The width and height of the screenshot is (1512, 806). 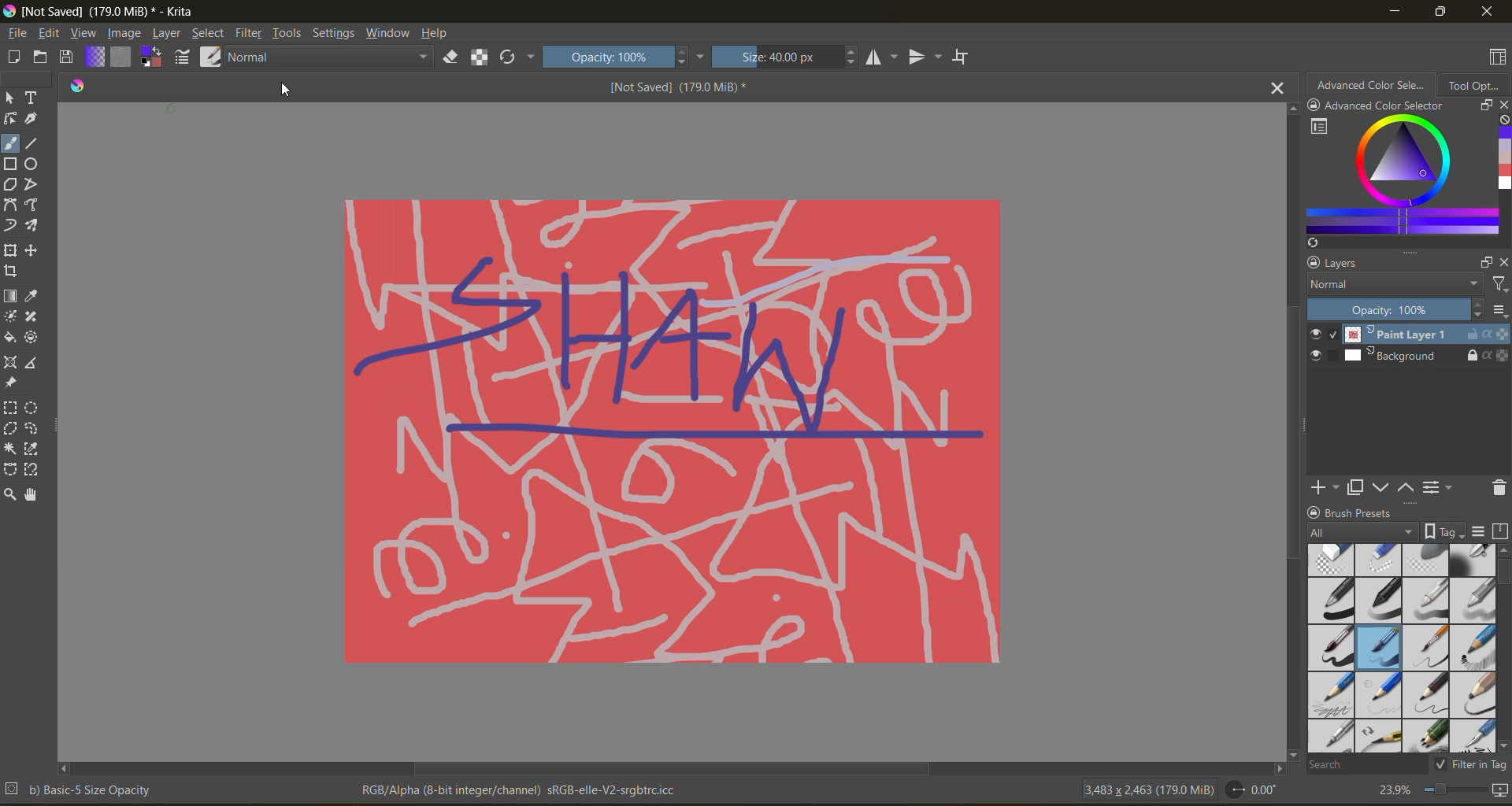 I want to click on close tab, so click(x=1277, y=87).